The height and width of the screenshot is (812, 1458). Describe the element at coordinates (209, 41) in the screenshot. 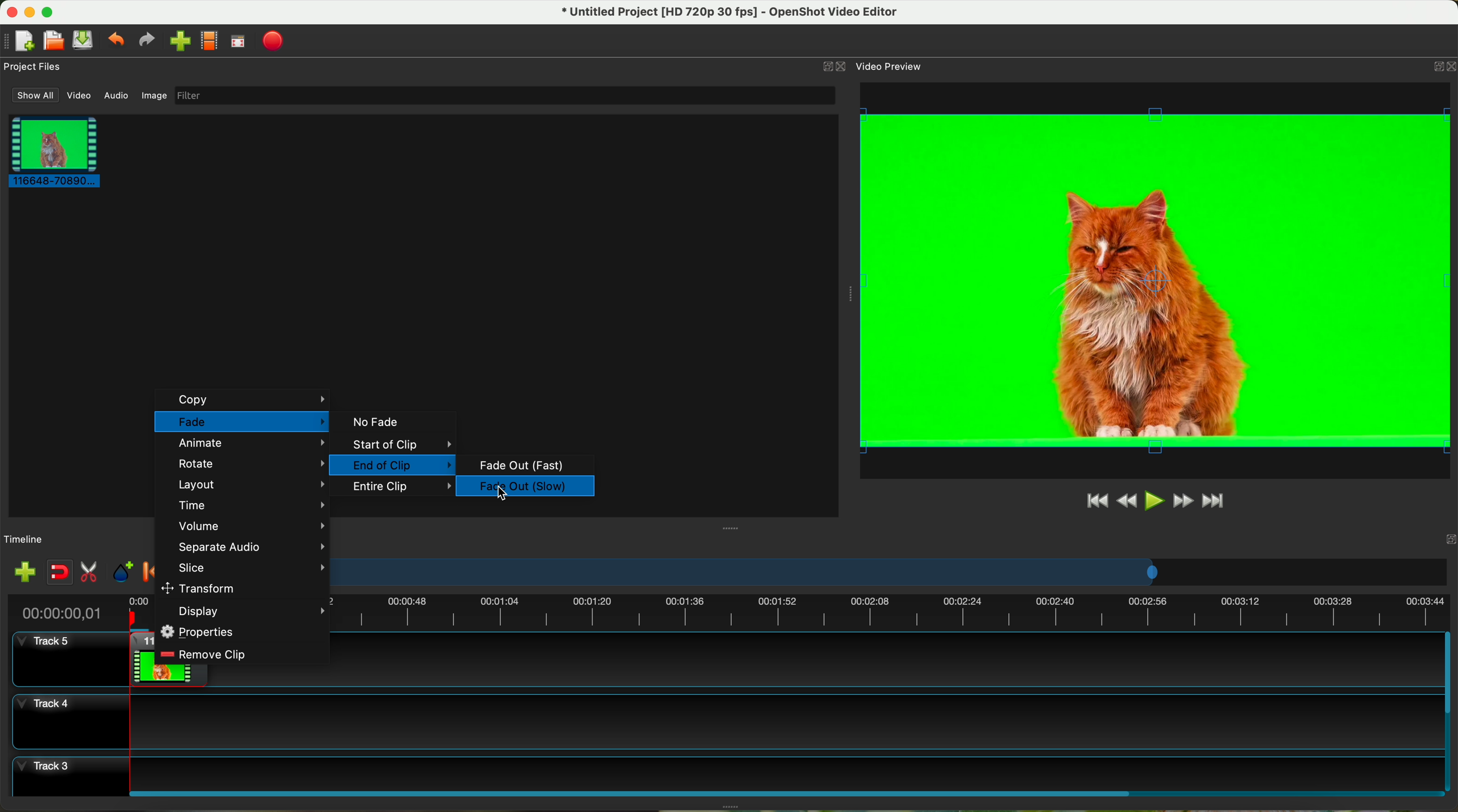

I see `choose profile` at that location.